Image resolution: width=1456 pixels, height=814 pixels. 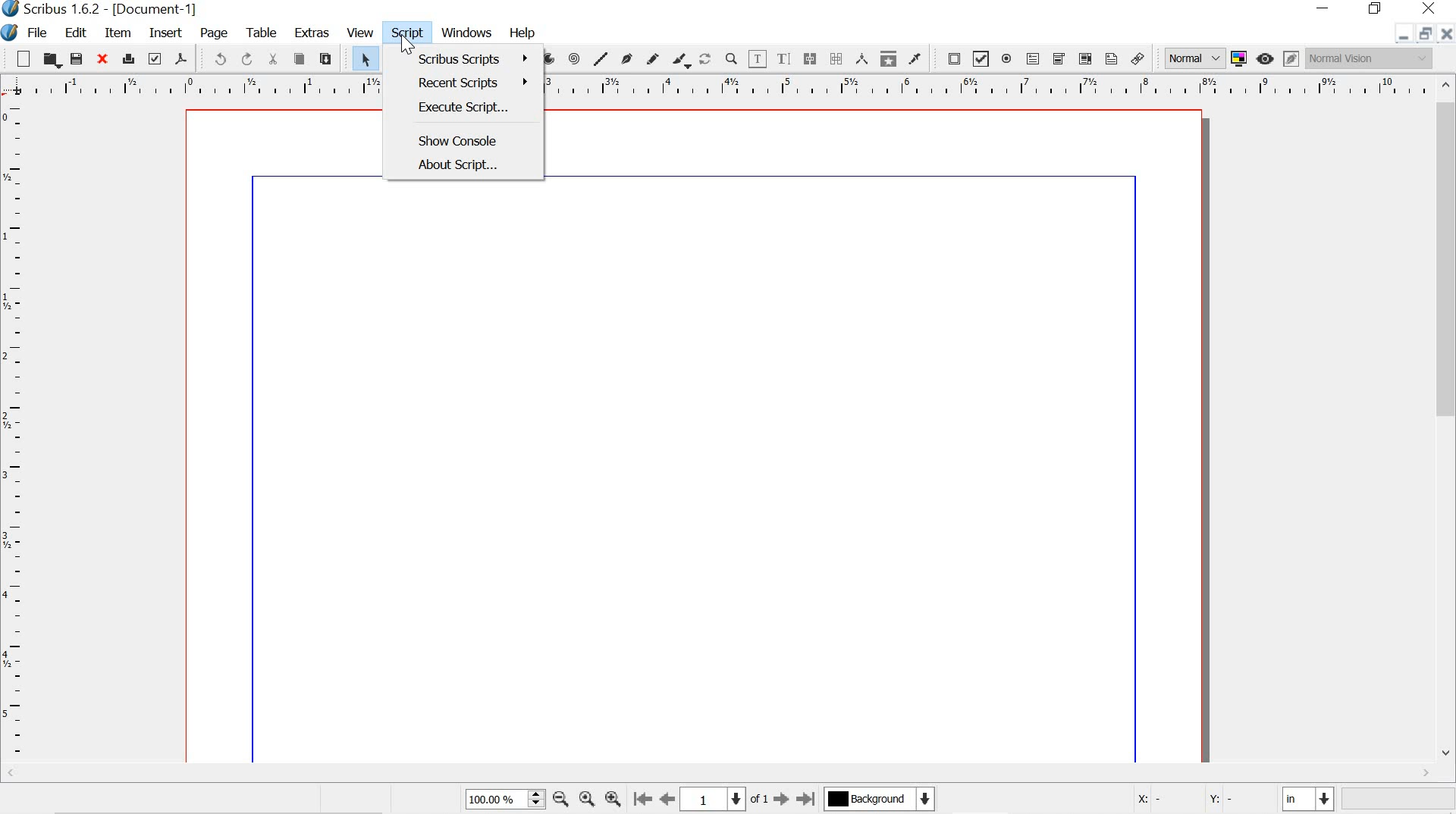 I want to click on unlink text frames, so click(x=836, y=58).